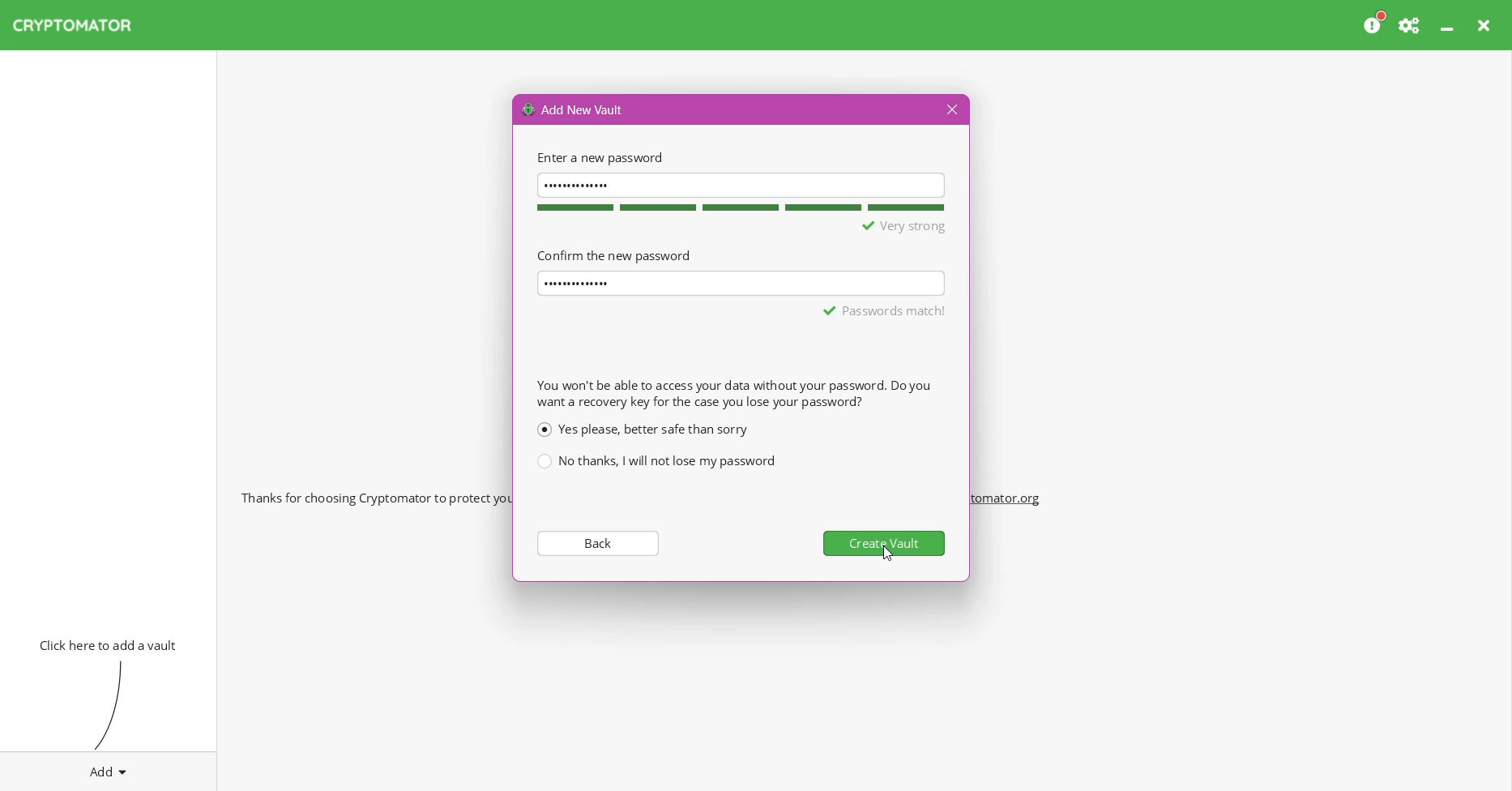 Image resolution: width=1512 pixels, height=791 pixels. Describe the element at coordinates (1375, 24) in the screenshot. I see `Please consider donating` at that location.